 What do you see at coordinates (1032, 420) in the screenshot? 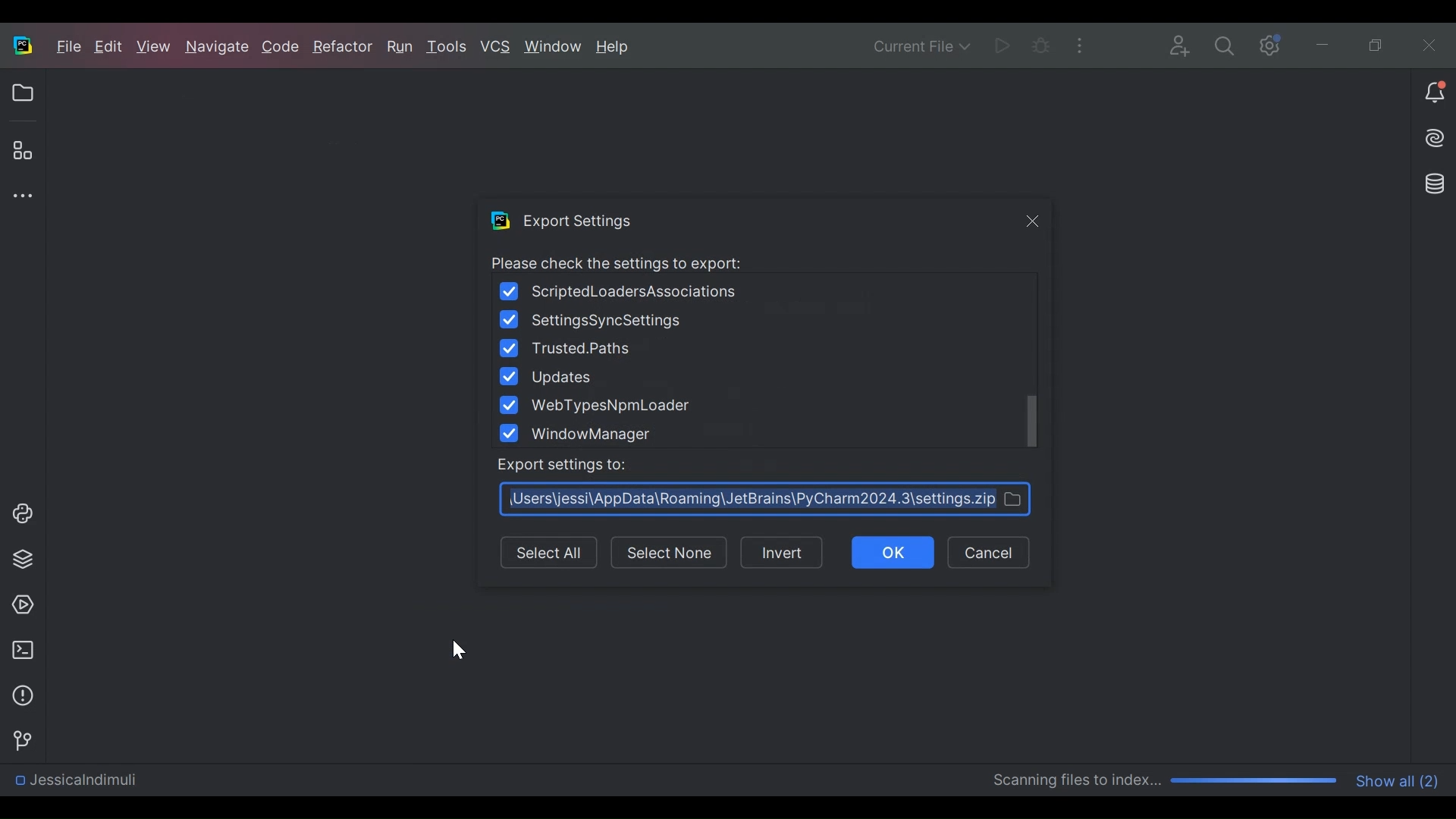
I see `Vertical Scroll bar` at bounding box center [1032, 420].